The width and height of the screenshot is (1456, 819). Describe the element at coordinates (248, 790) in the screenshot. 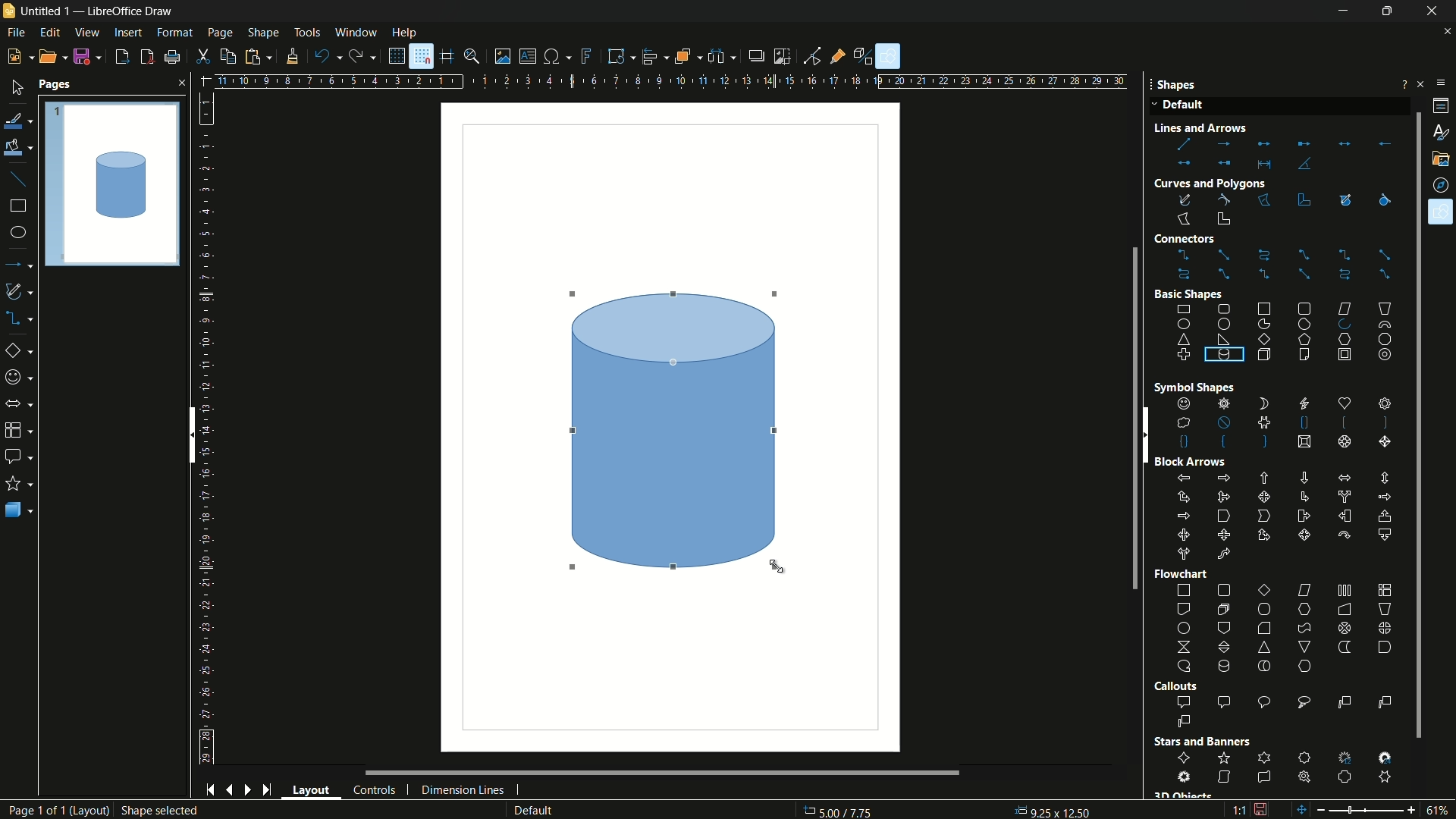

I see `next page` at that location.